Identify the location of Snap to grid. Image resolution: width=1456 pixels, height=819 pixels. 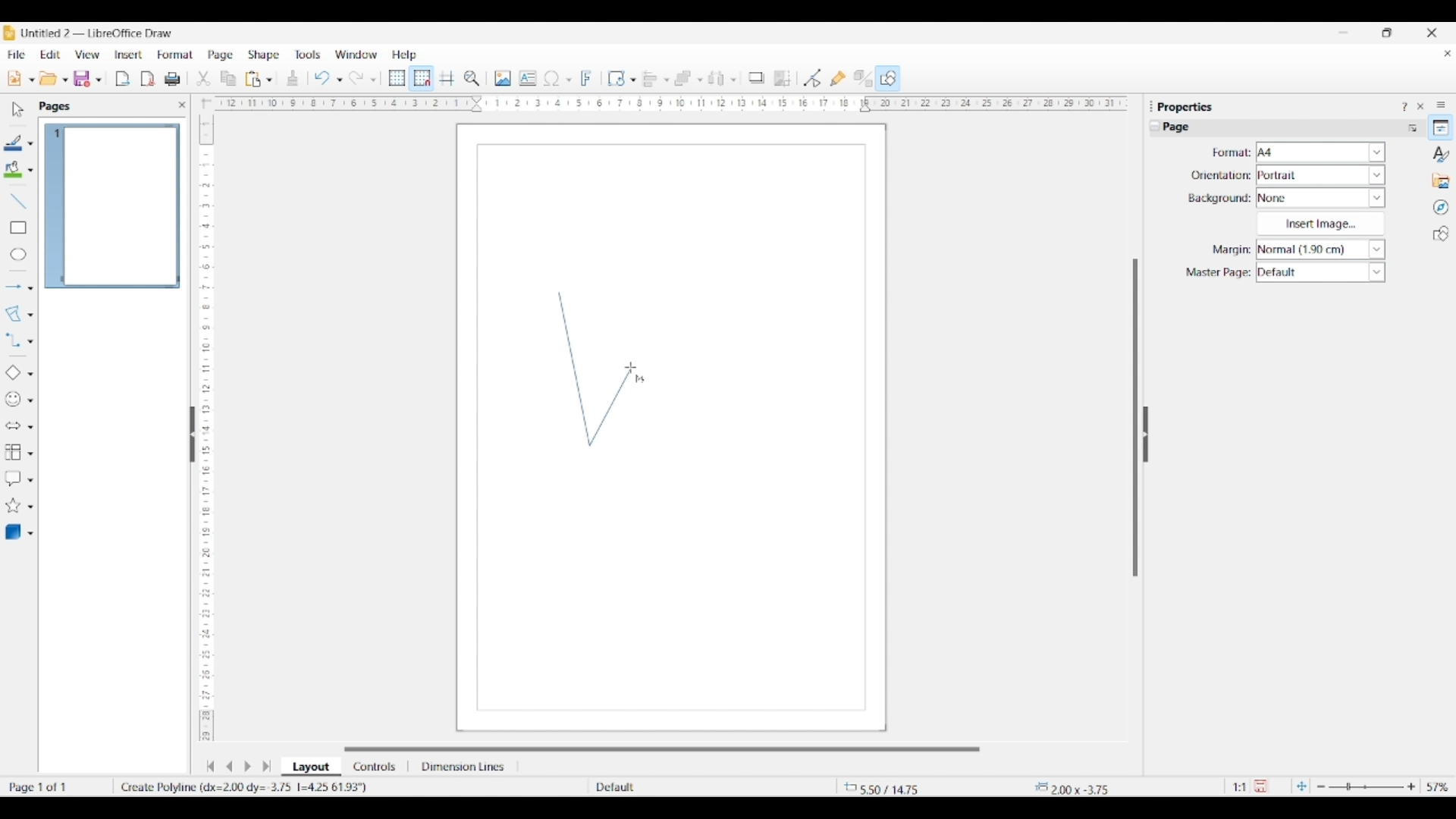
(422, 79).